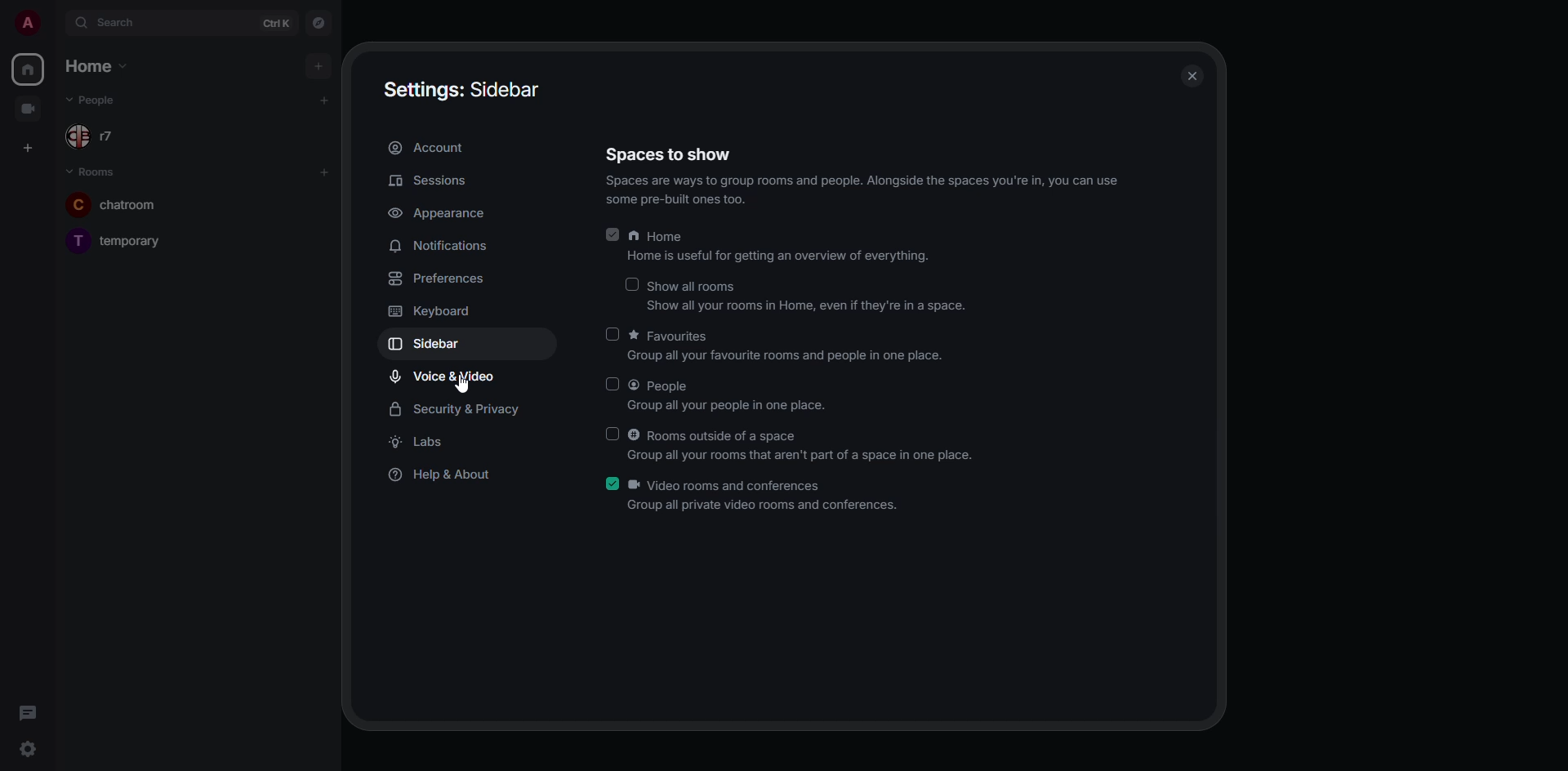 The image size is (1568, 771). What do you see at coordinates (436, 310) in the screenshot?
I see `keyboard` at bounding box center [436, 310].